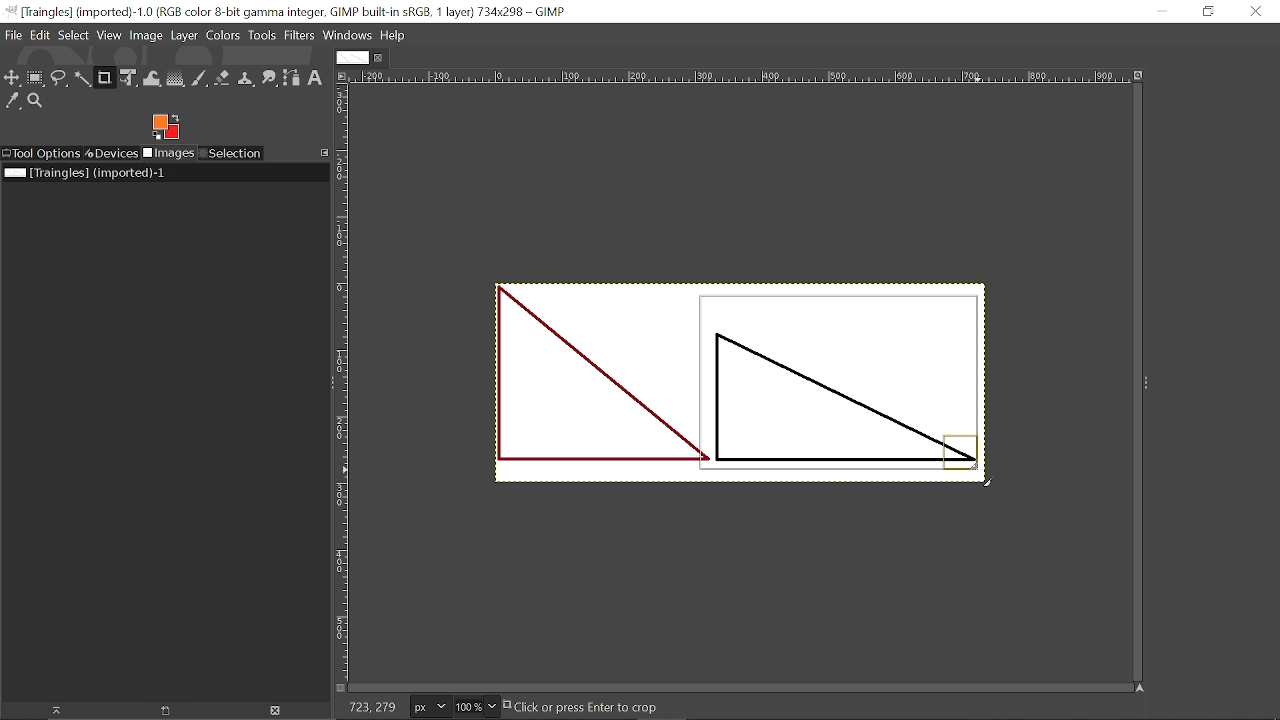  What do you see at coordinates (85, 173) in the screenshot?
I see `Current file name` at bounding box center [85, 173].